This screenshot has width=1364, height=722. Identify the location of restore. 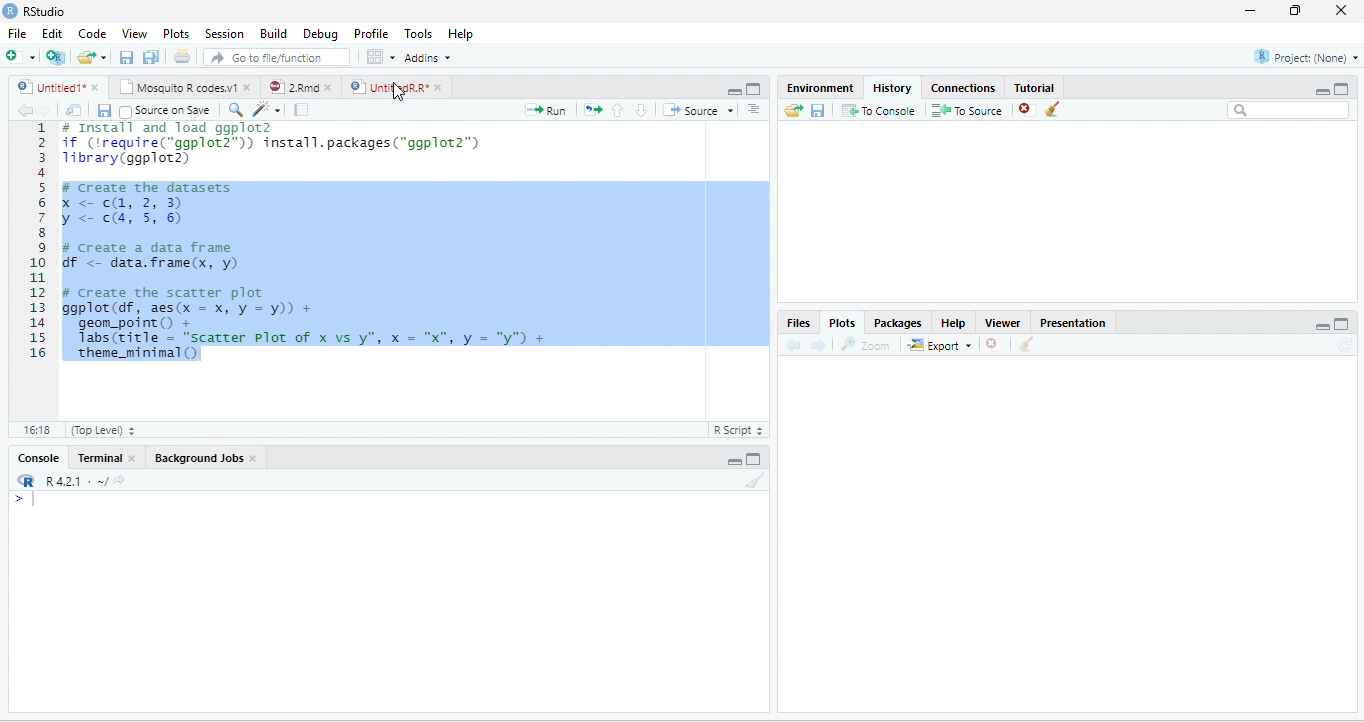
(1297, 11).